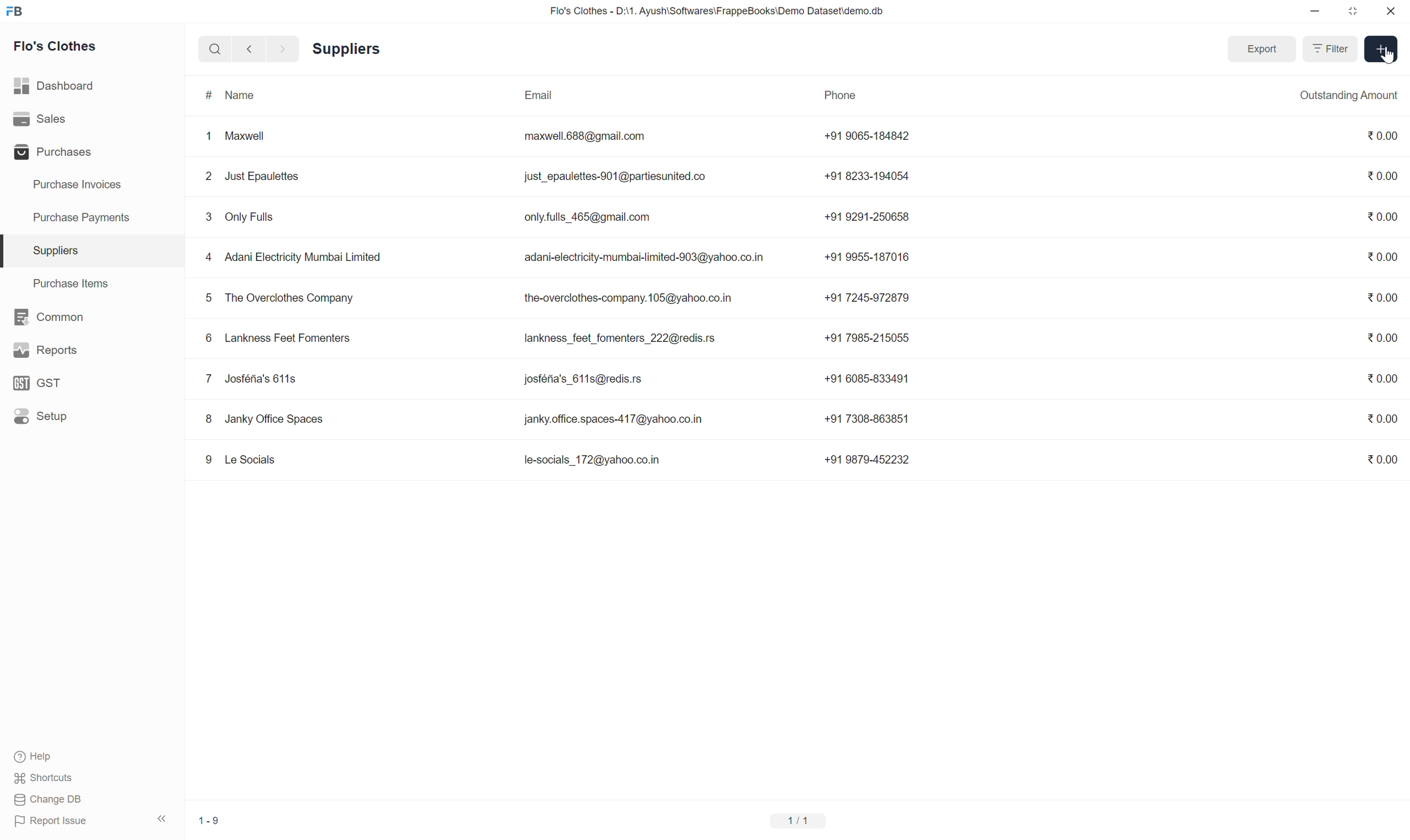 This screenshot has height=840, width=1410. I want to click on 1/1, so click(798, 821).